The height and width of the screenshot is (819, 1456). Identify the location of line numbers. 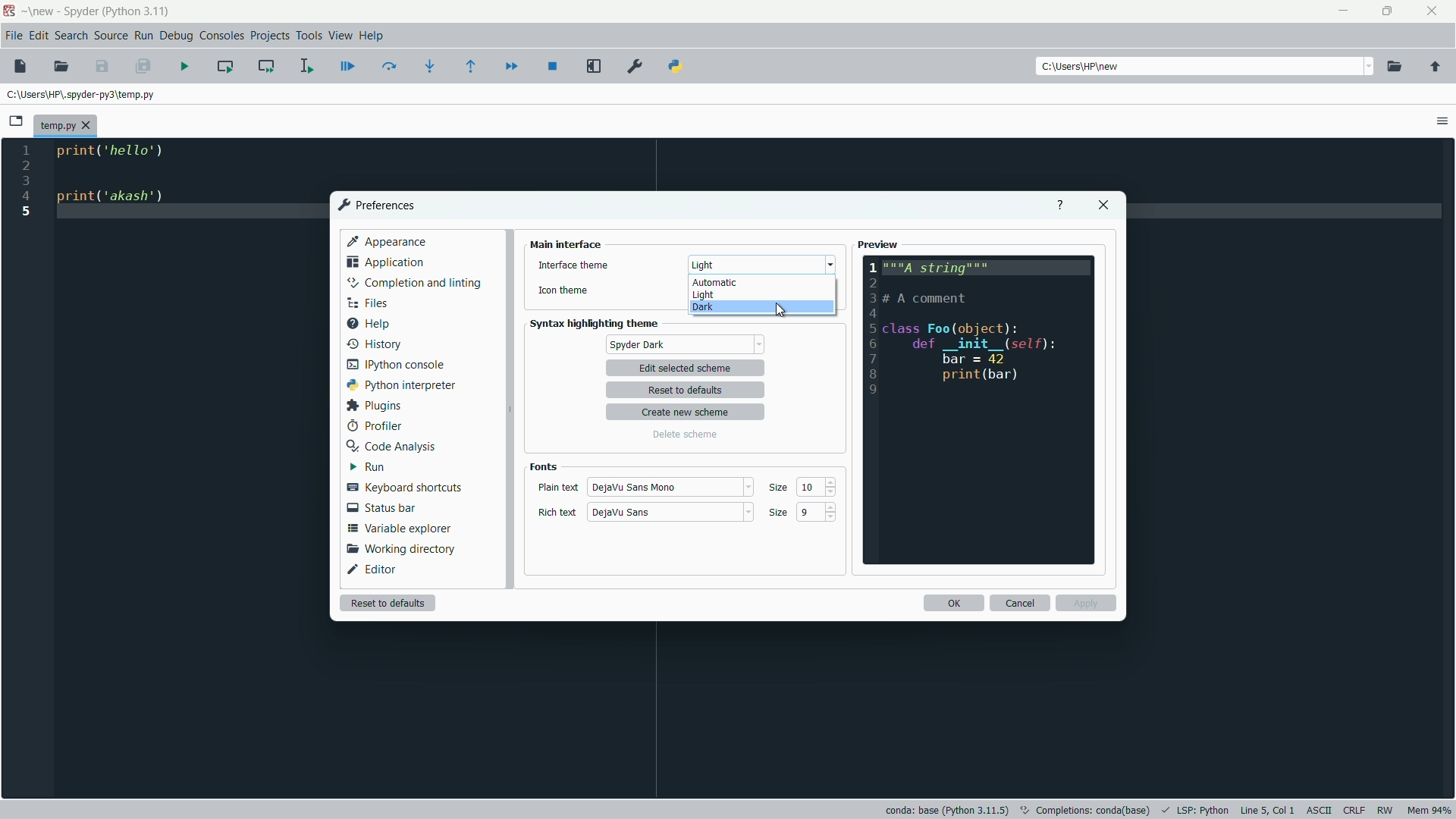
(26, 181).